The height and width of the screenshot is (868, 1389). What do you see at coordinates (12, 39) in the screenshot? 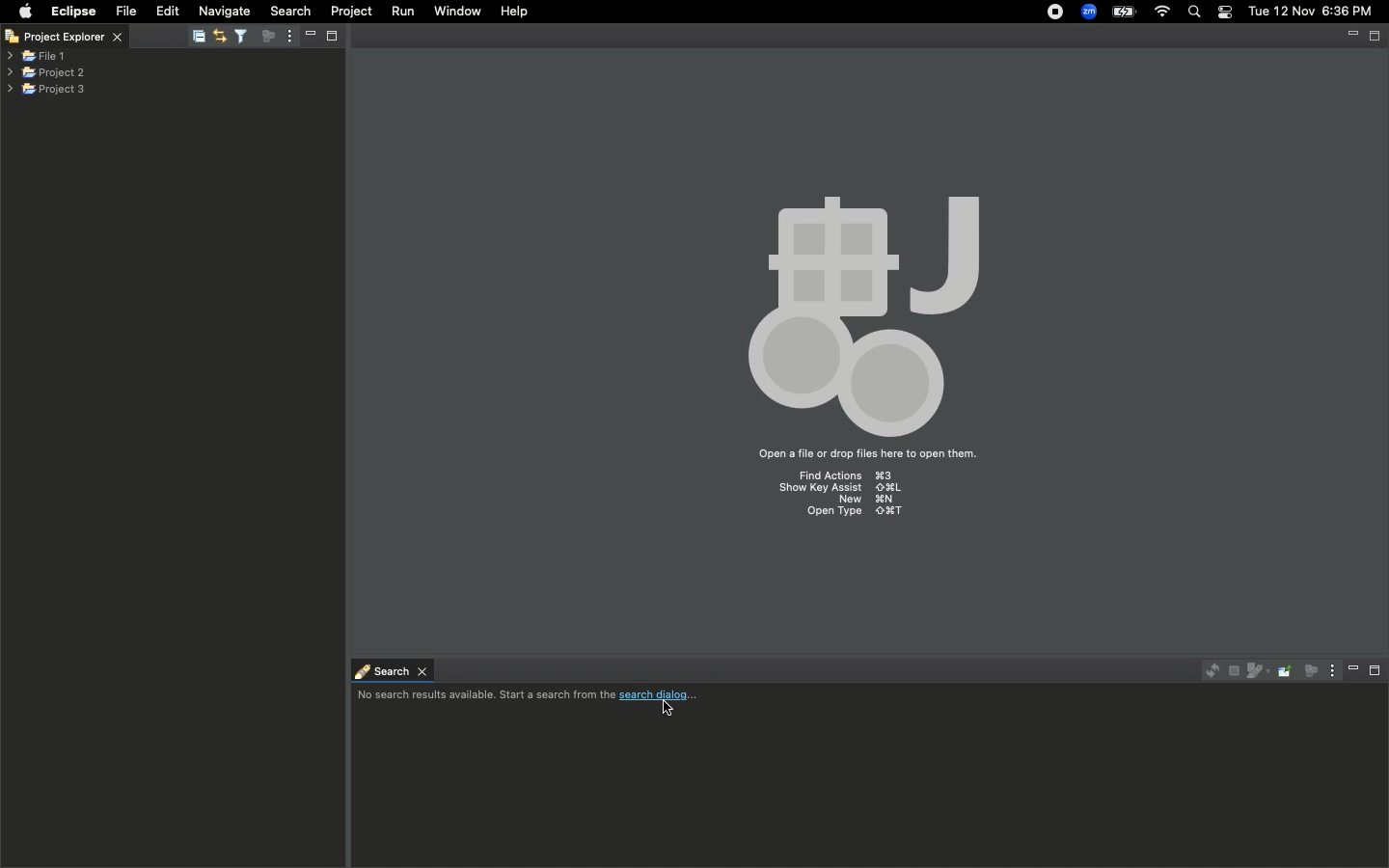
I see `Close` at bounding box center [12, 39].